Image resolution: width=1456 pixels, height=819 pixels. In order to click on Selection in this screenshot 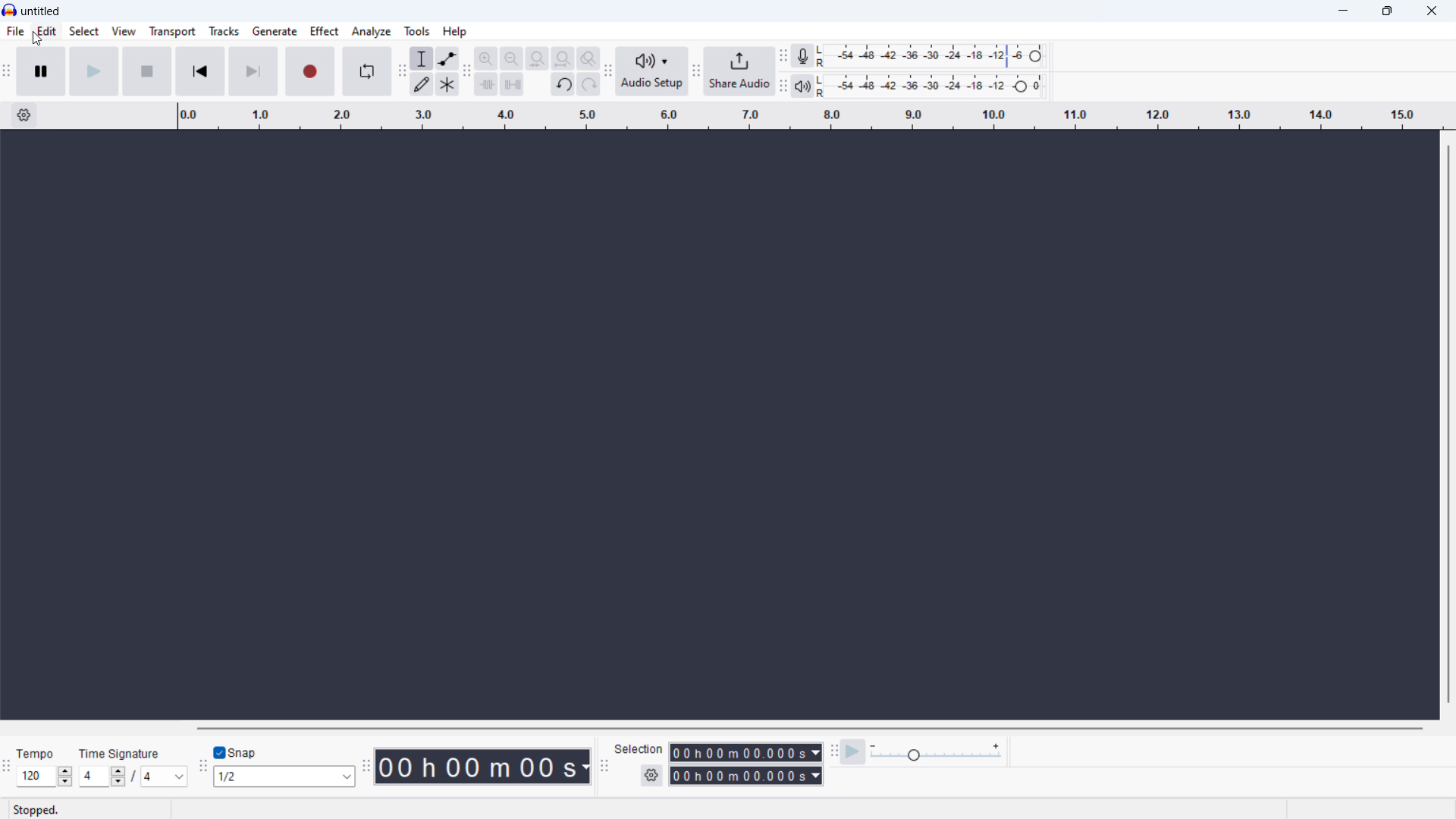, I will do `click(641, 748)`.